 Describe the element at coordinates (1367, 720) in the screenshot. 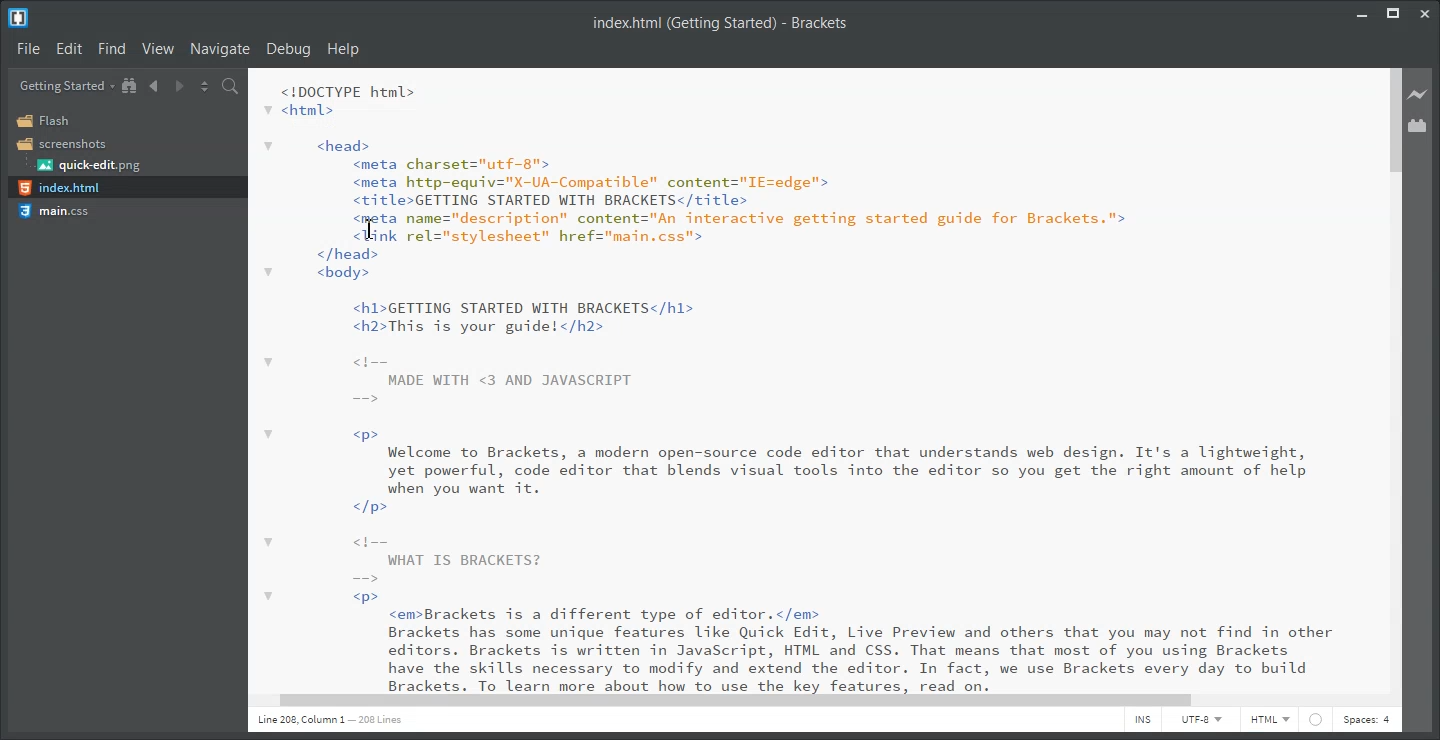

I see `Spaces: 4` at that location.